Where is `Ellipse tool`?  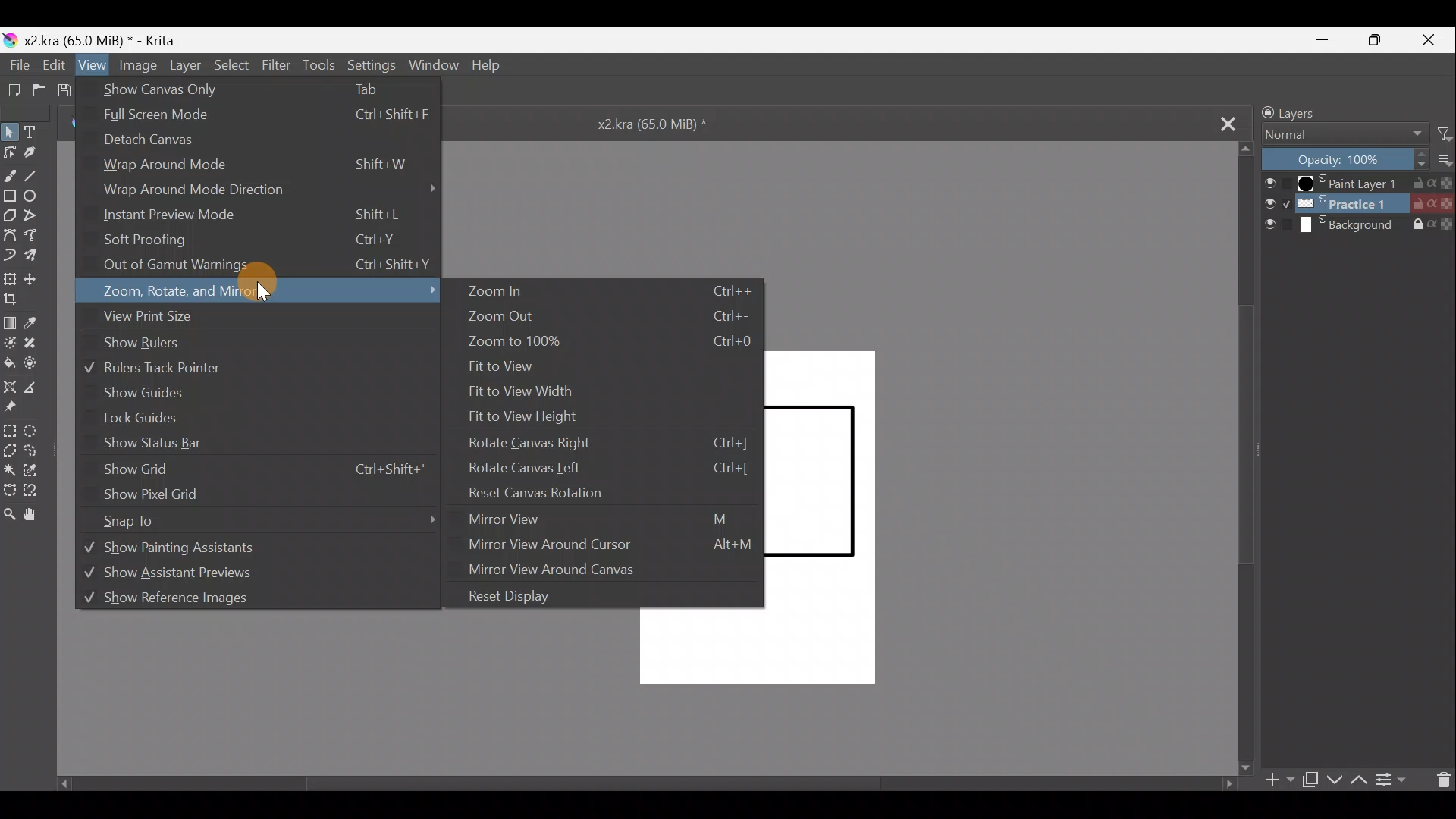
Ellipse tool is located at coordinates (35, 196).